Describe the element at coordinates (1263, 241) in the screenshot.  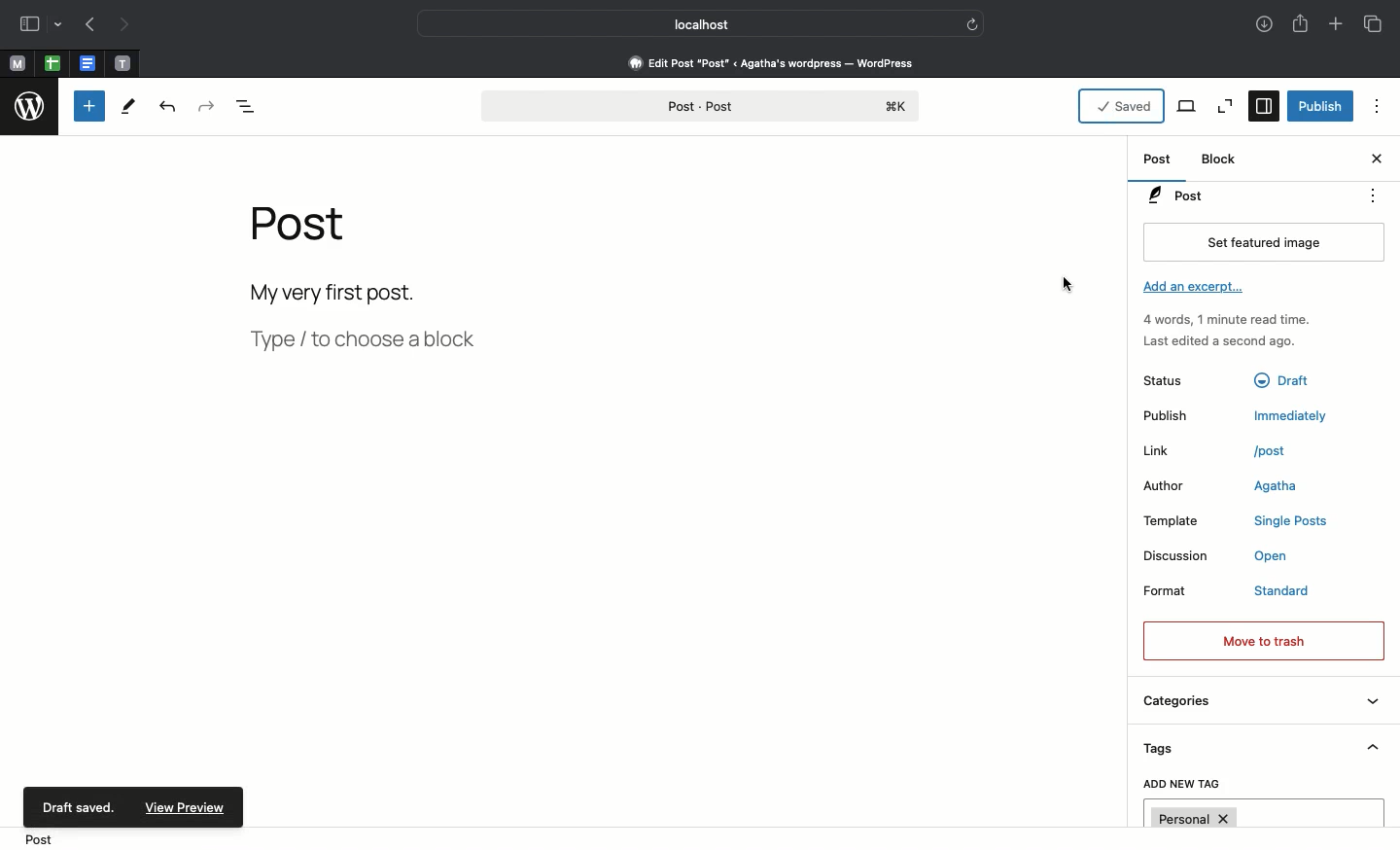
I see `Set featured image` at that location.